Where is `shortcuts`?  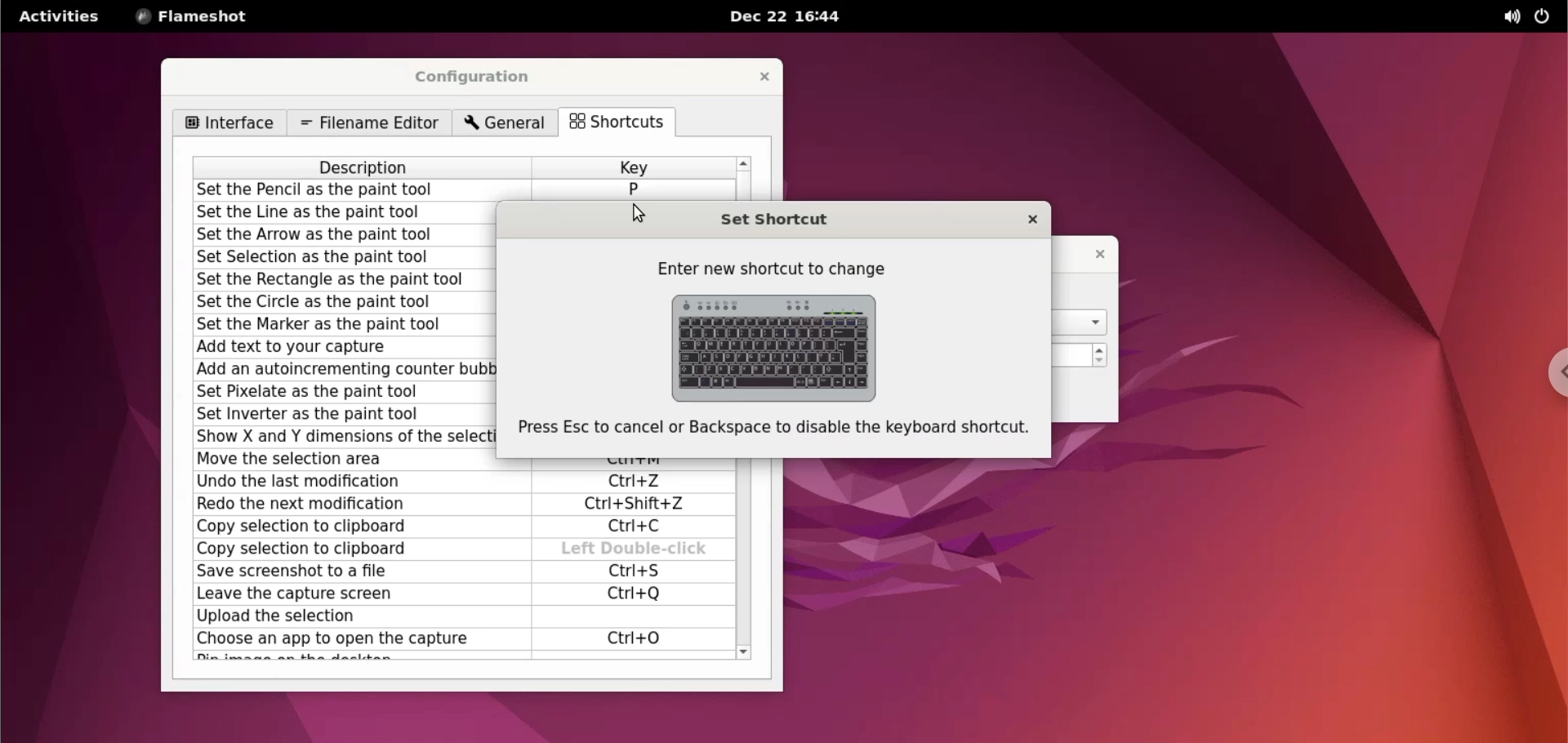
shortcuts is located at coordinates (623, 123).